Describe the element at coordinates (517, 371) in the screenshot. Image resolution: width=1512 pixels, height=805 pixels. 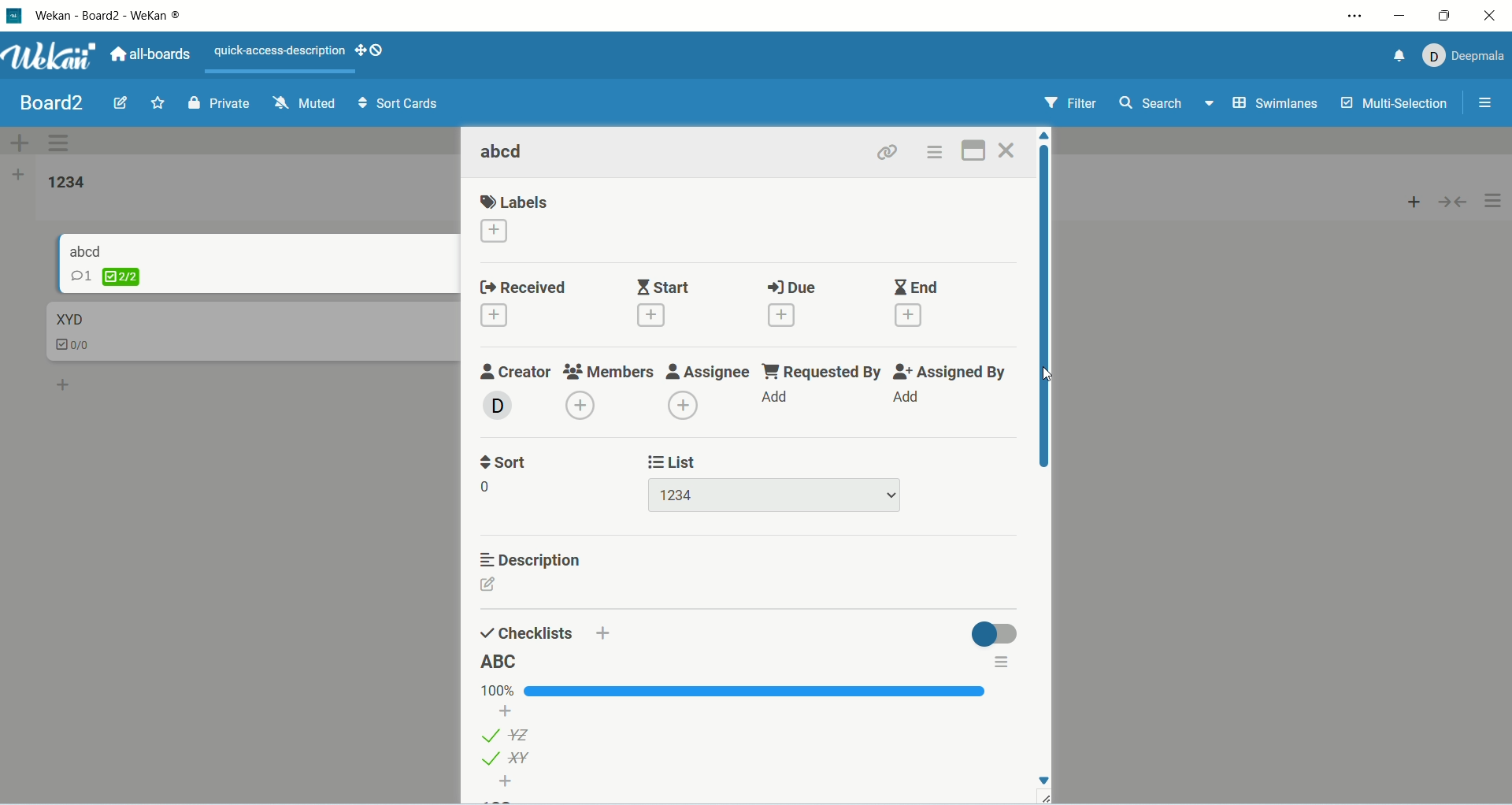
I see `creator` at that location.